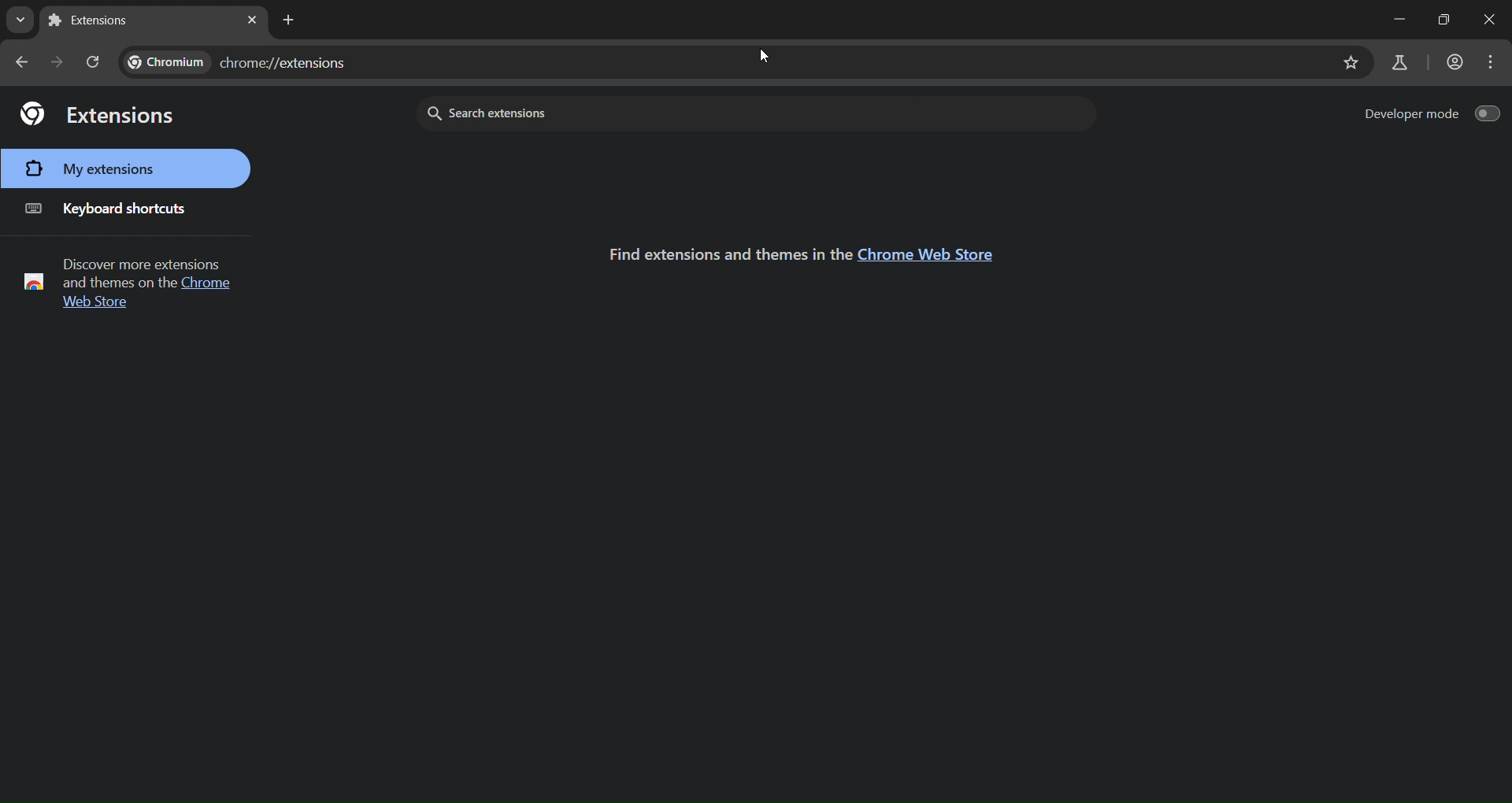 Image resolution: width=1512 pixels, height=803 pixels. What do you see at coordinates (109, 209) in the screenshot?
I see `keyboard shortcuts` at bounding box center [109, 209].